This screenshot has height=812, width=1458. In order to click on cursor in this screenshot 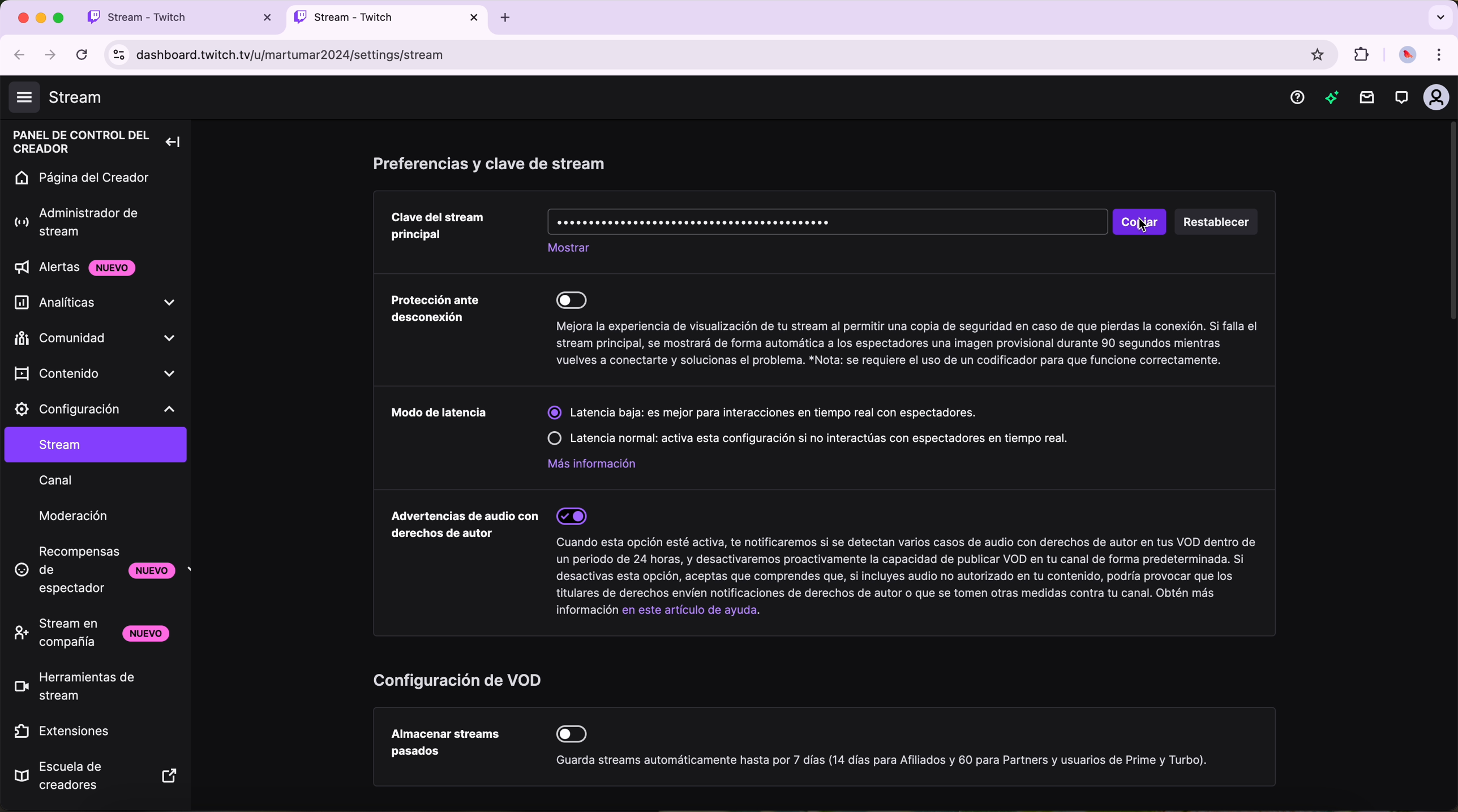, I will do `click(1146, 226)`.